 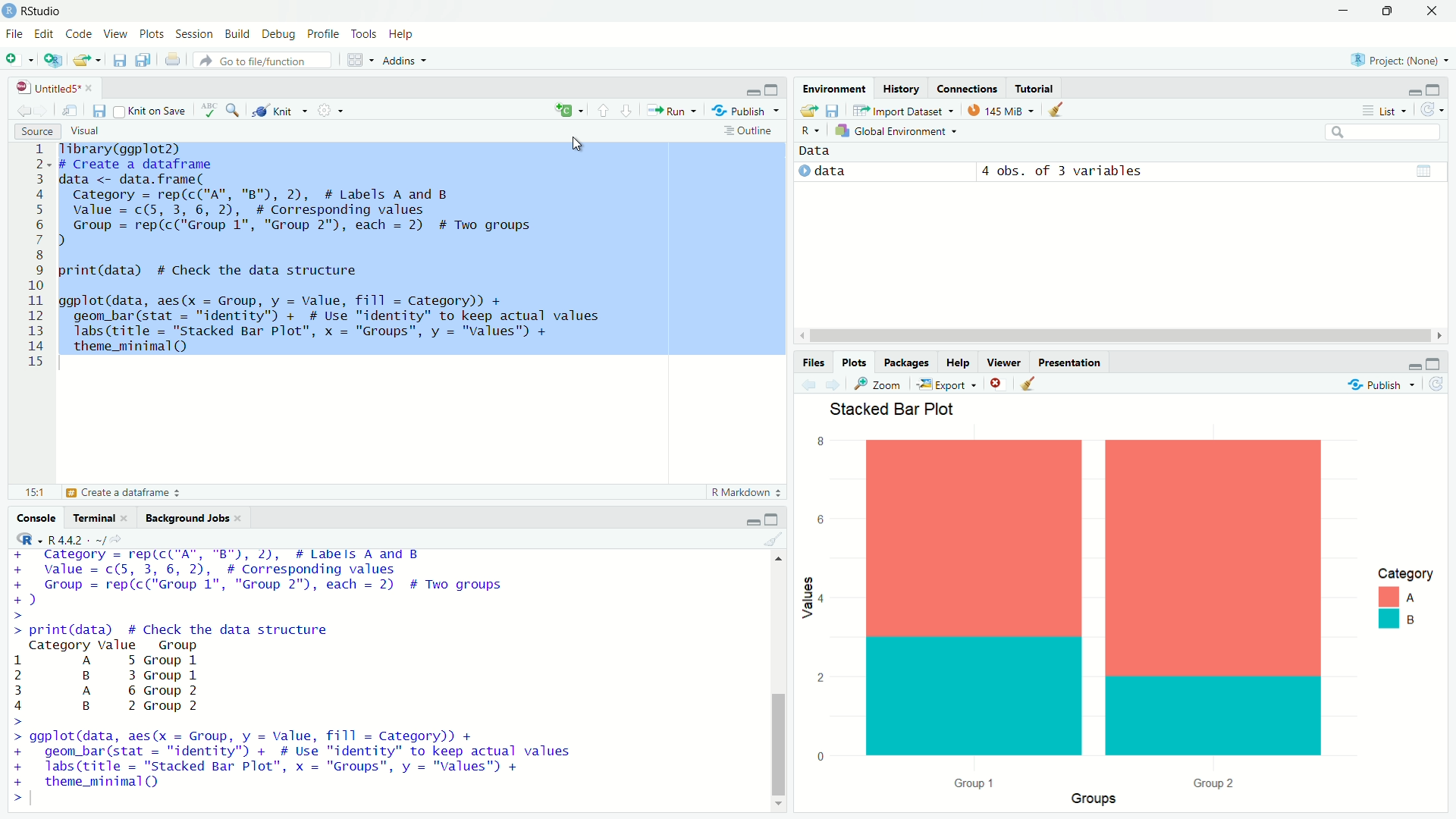 What do you see at coordinates (752, 91) in the screenshot?
I see `Minimize` at bounding box center [752, 91].